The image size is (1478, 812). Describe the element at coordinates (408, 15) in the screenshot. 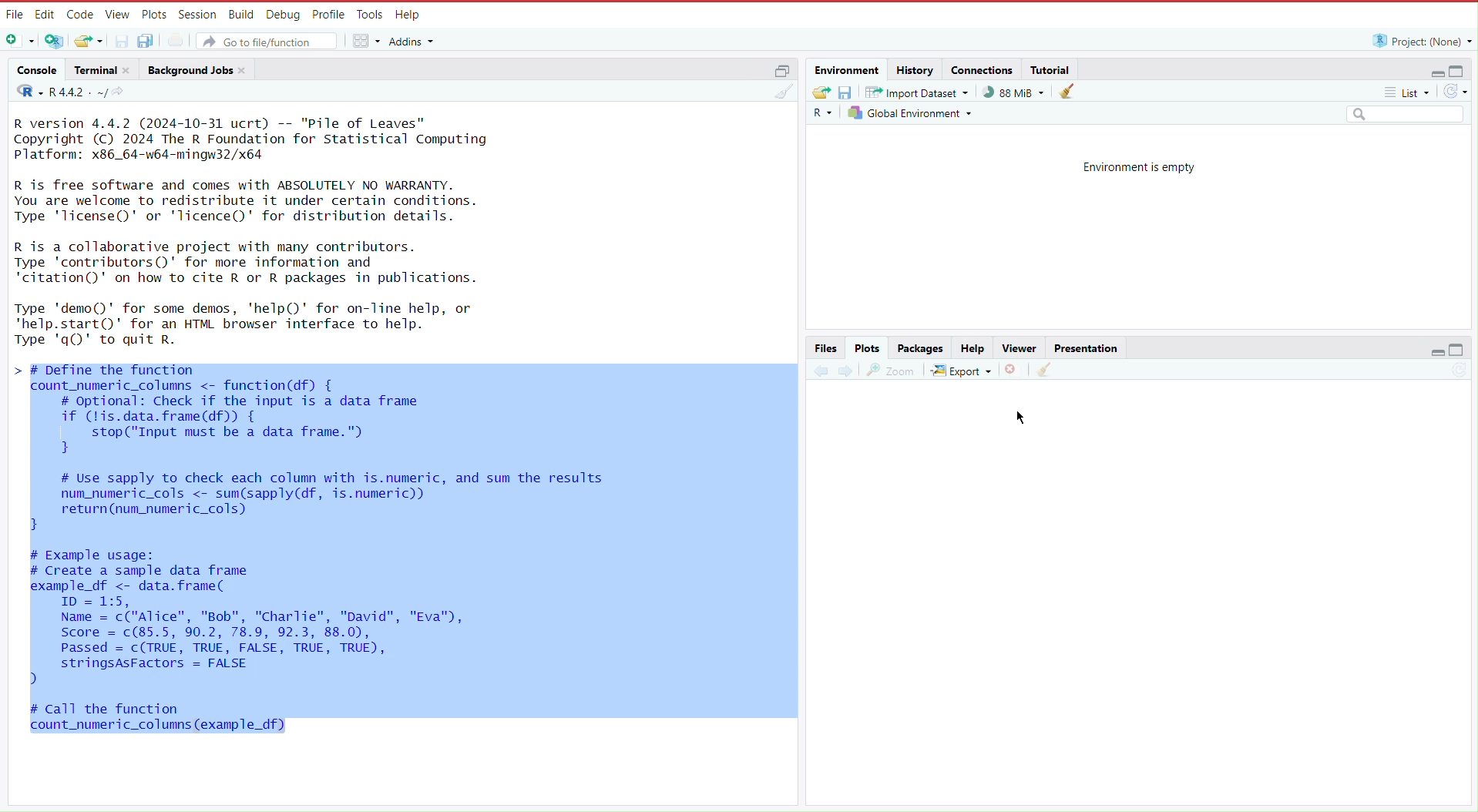

I see `Help` at that location.